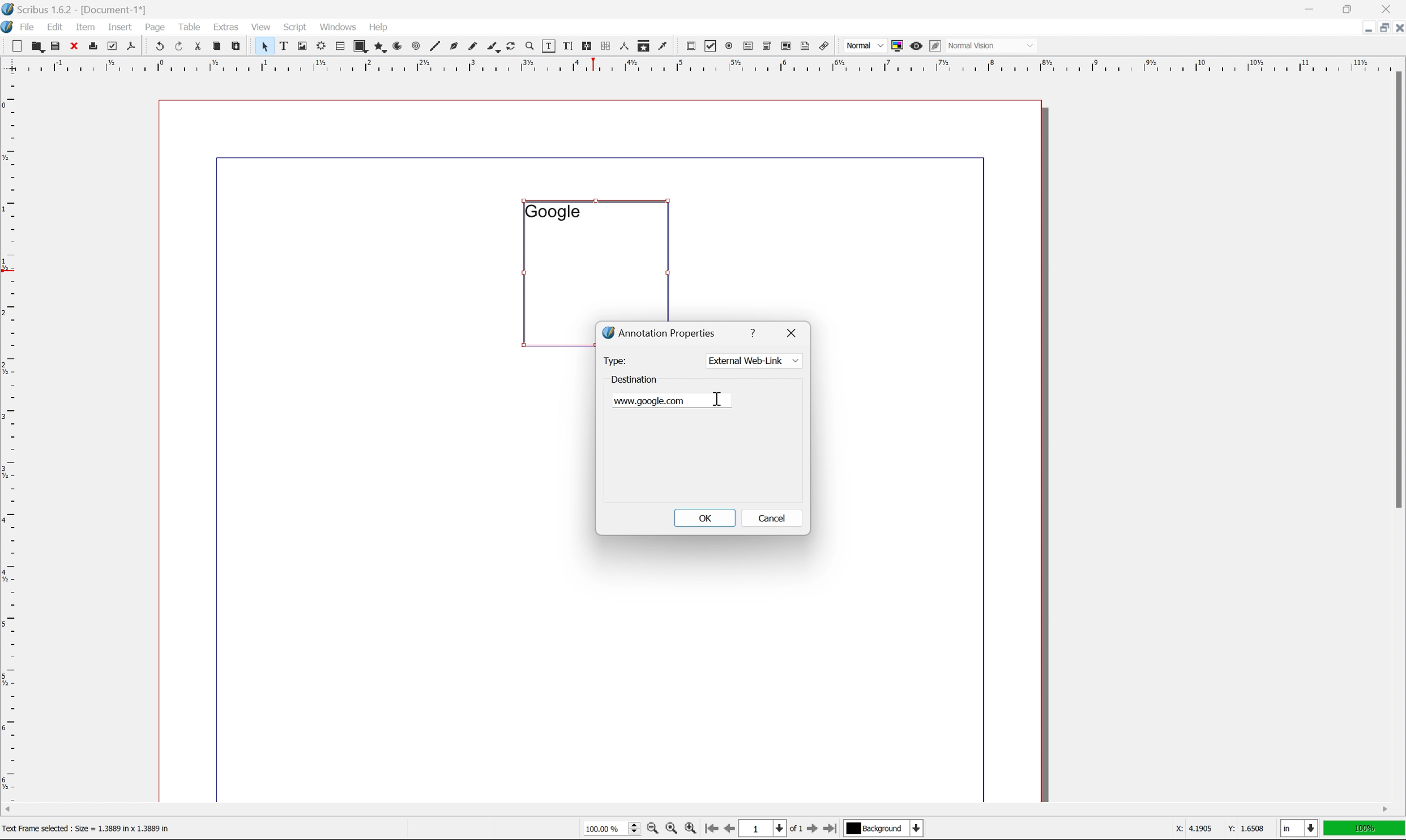 The image size is (1406, 840). Describe the element at coordinates (753, 361) in the screenshot. I see `external web-link` at that location.